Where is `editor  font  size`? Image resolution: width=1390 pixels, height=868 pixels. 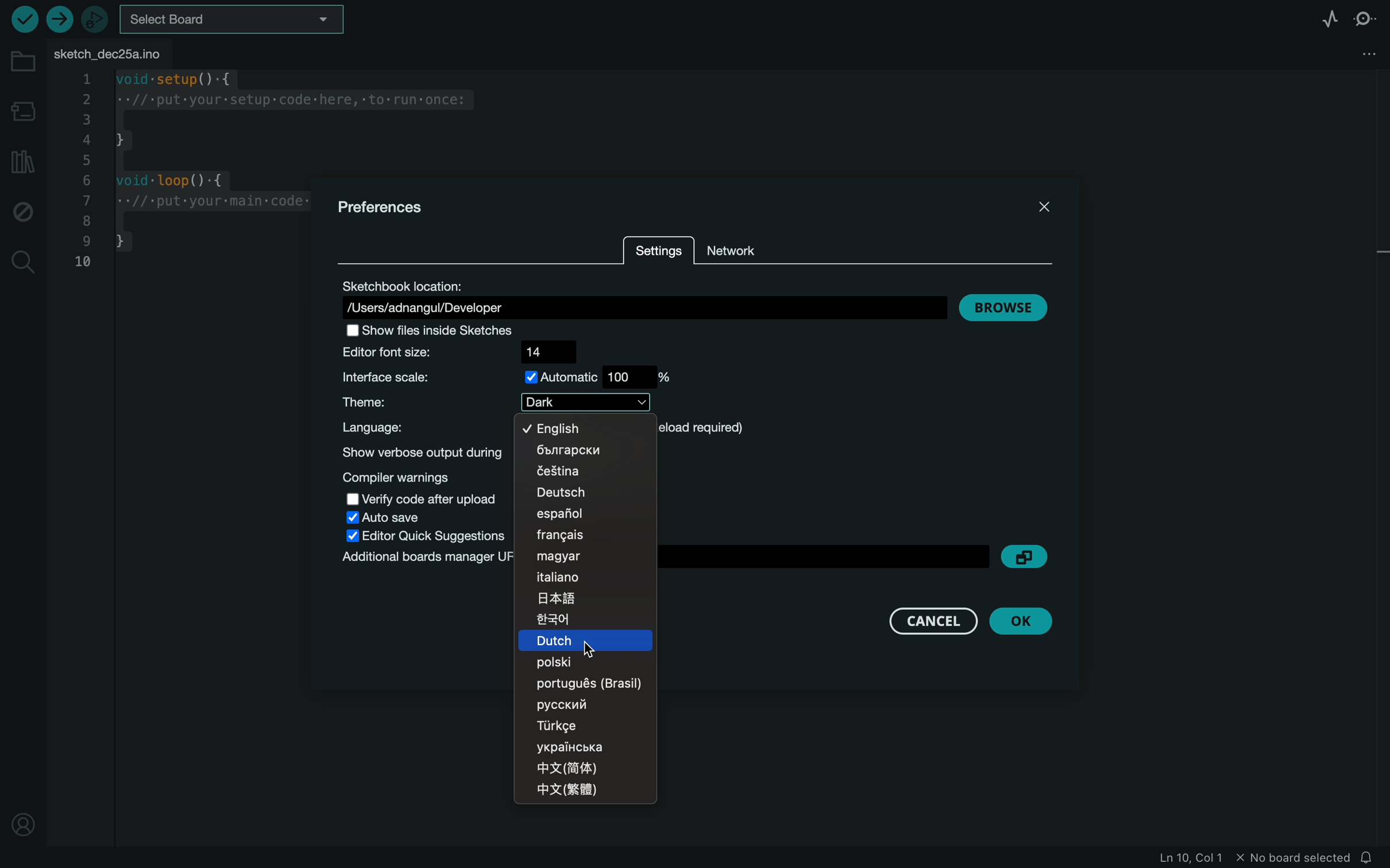 editor  font  size is located at coordinates (457, 351).